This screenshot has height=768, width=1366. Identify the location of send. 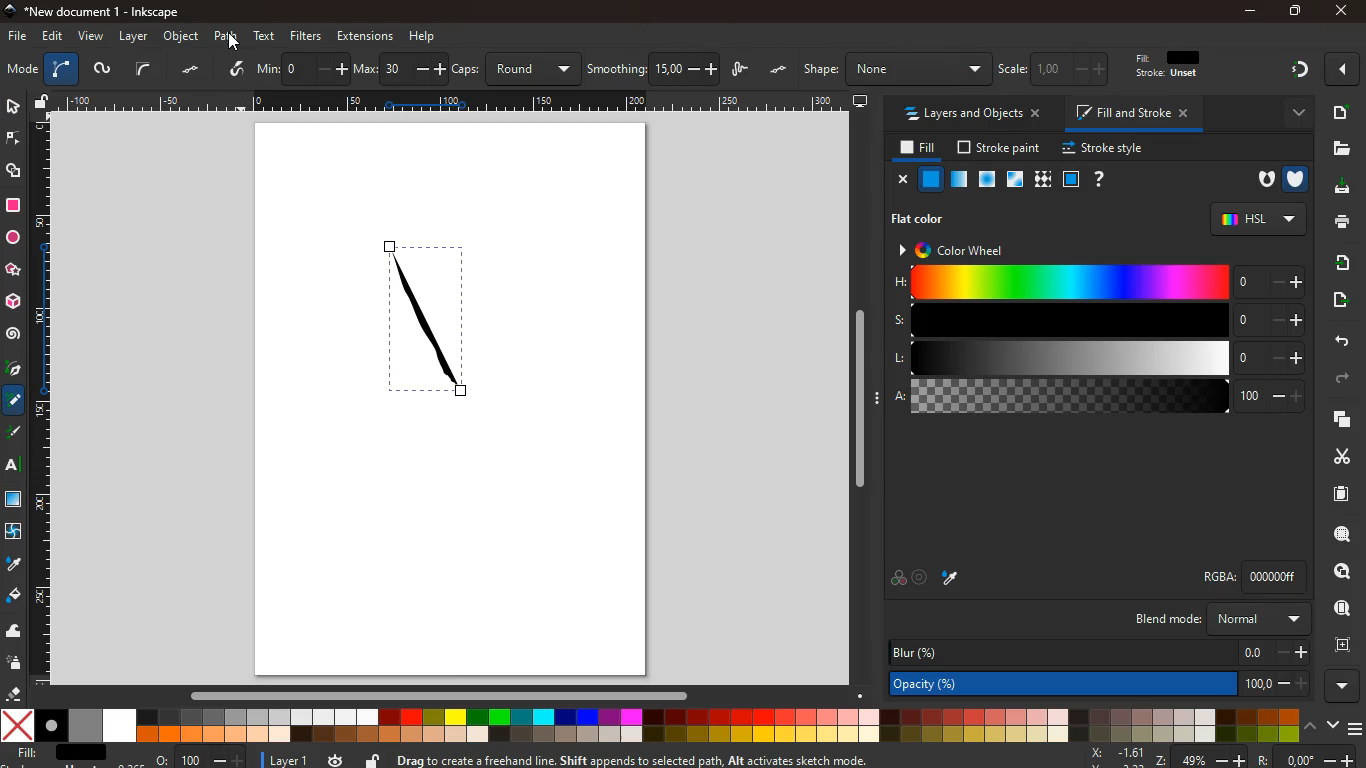
(1338, 300).